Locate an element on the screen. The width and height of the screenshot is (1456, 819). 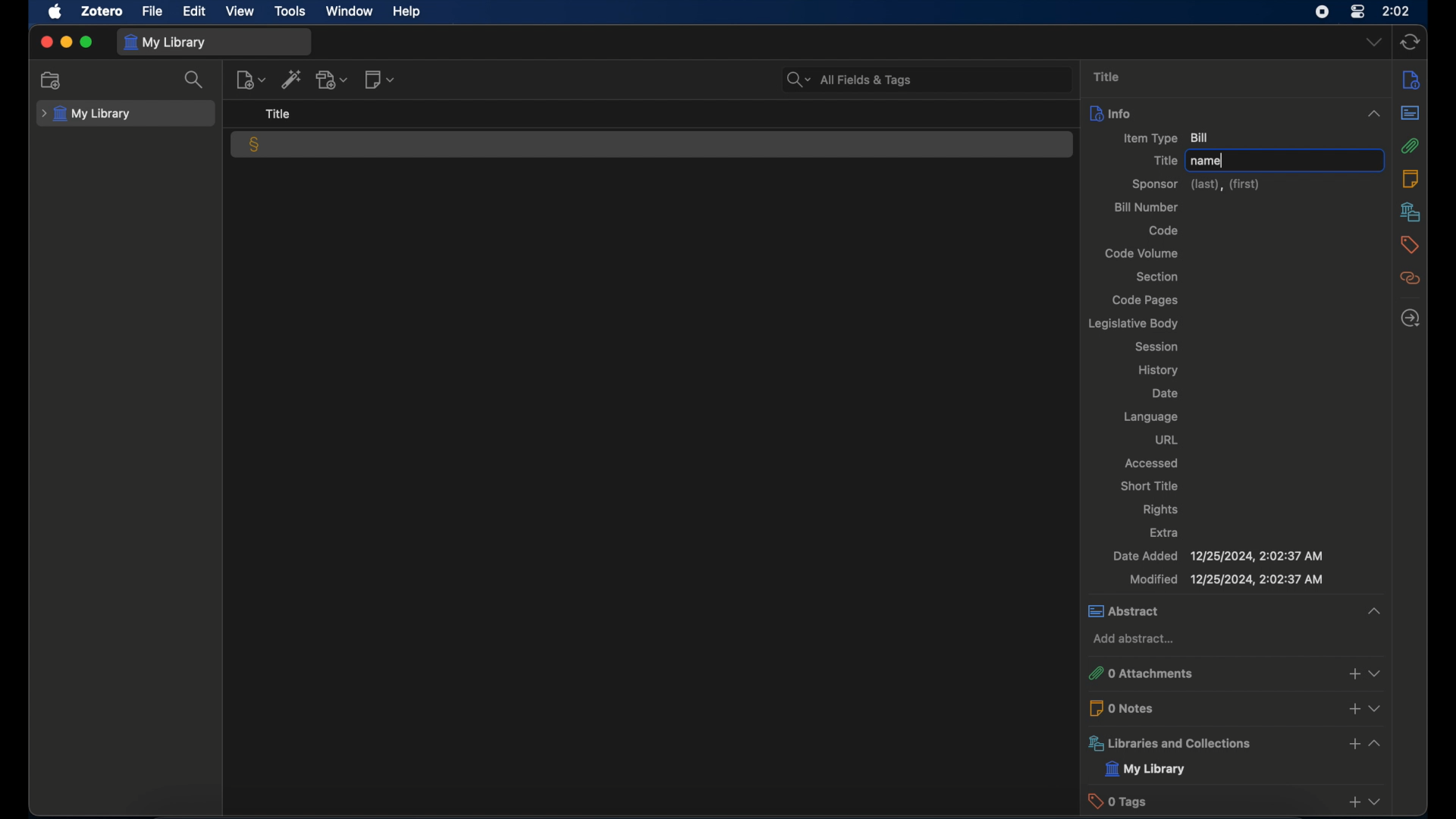
url is located at coordinates (1166, 439).